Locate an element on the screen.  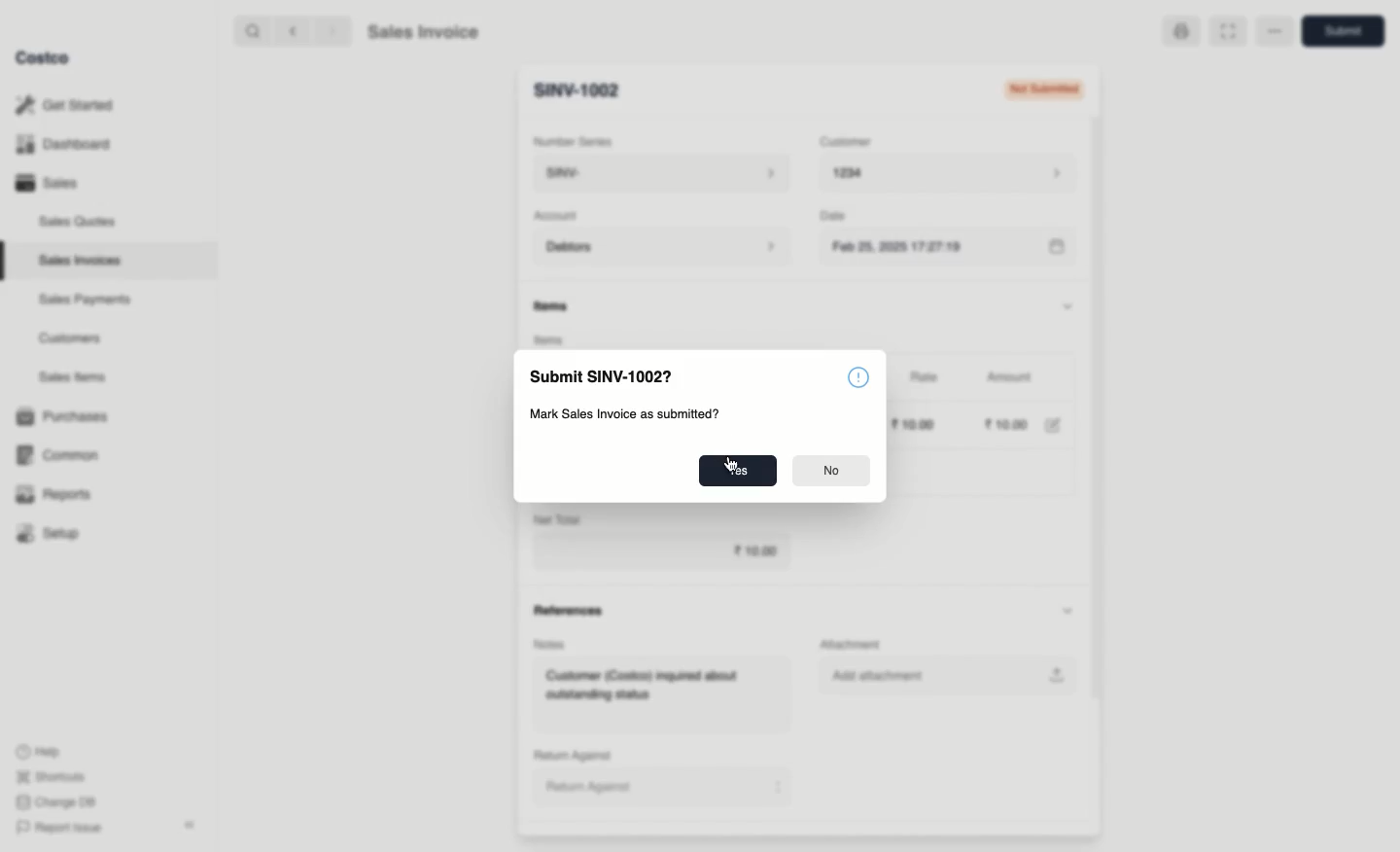
Mark Sales Invoice as submitted? is located at coordinates (629, 416).